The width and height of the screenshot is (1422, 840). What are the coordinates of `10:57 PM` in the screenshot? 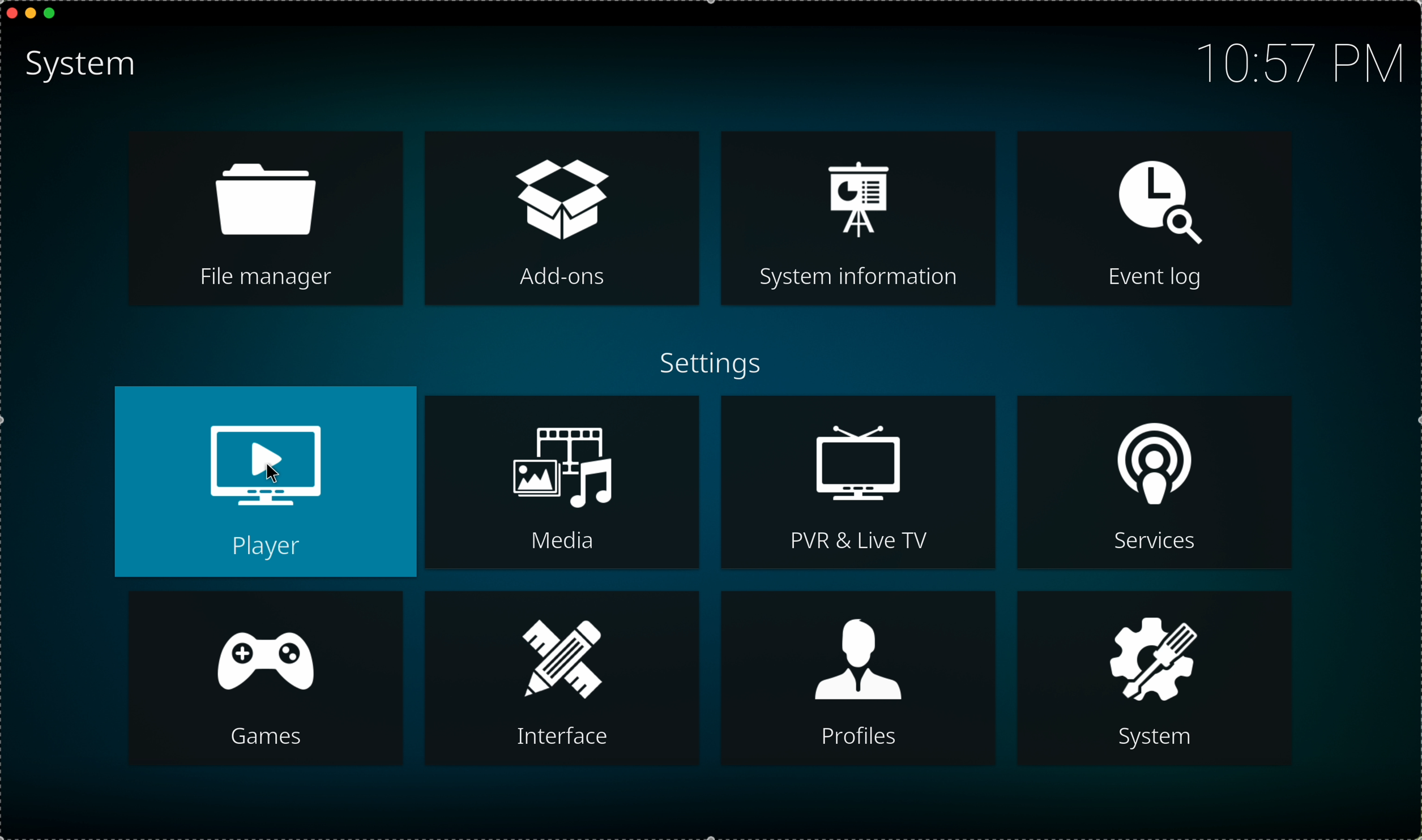 It's located at (1293, 61).